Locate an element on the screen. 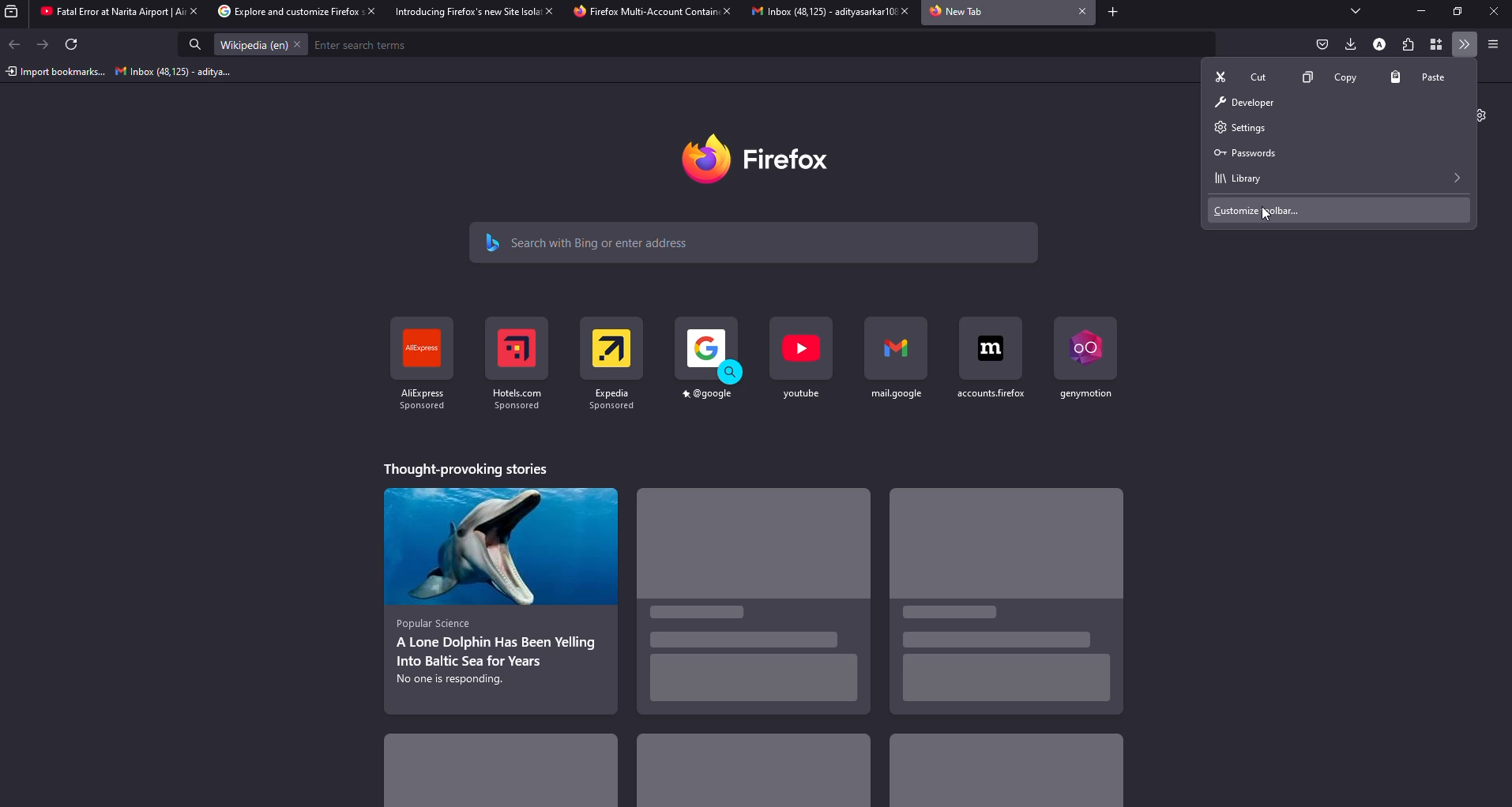 The height and width of the screenshot is (807, 1512). tab is located at coordinates (814, 13).